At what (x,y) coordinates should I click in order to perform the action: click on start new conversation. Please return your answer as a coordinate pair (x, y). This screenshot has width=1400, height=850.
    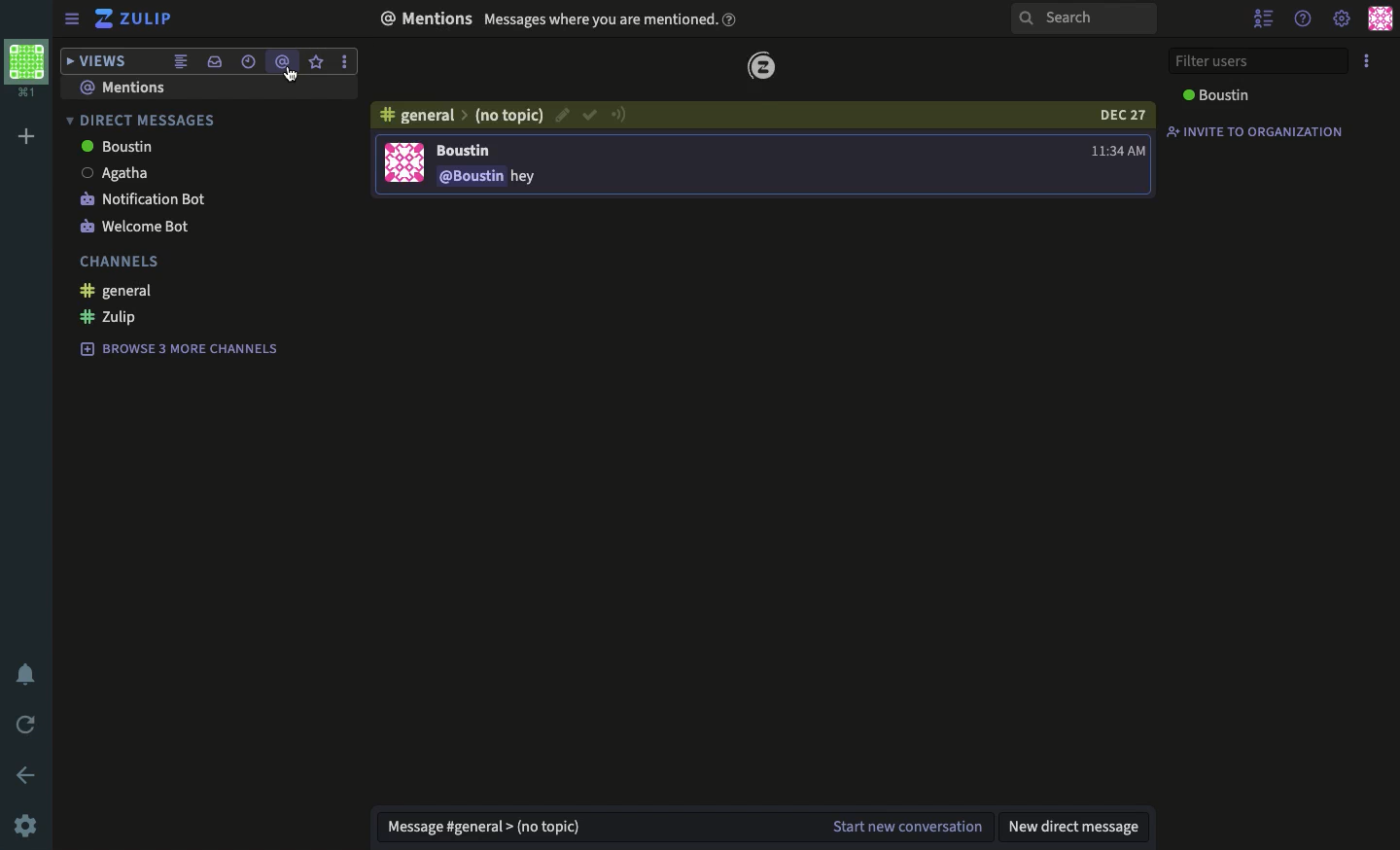
    Looking at the image, I should click on (912, 824).